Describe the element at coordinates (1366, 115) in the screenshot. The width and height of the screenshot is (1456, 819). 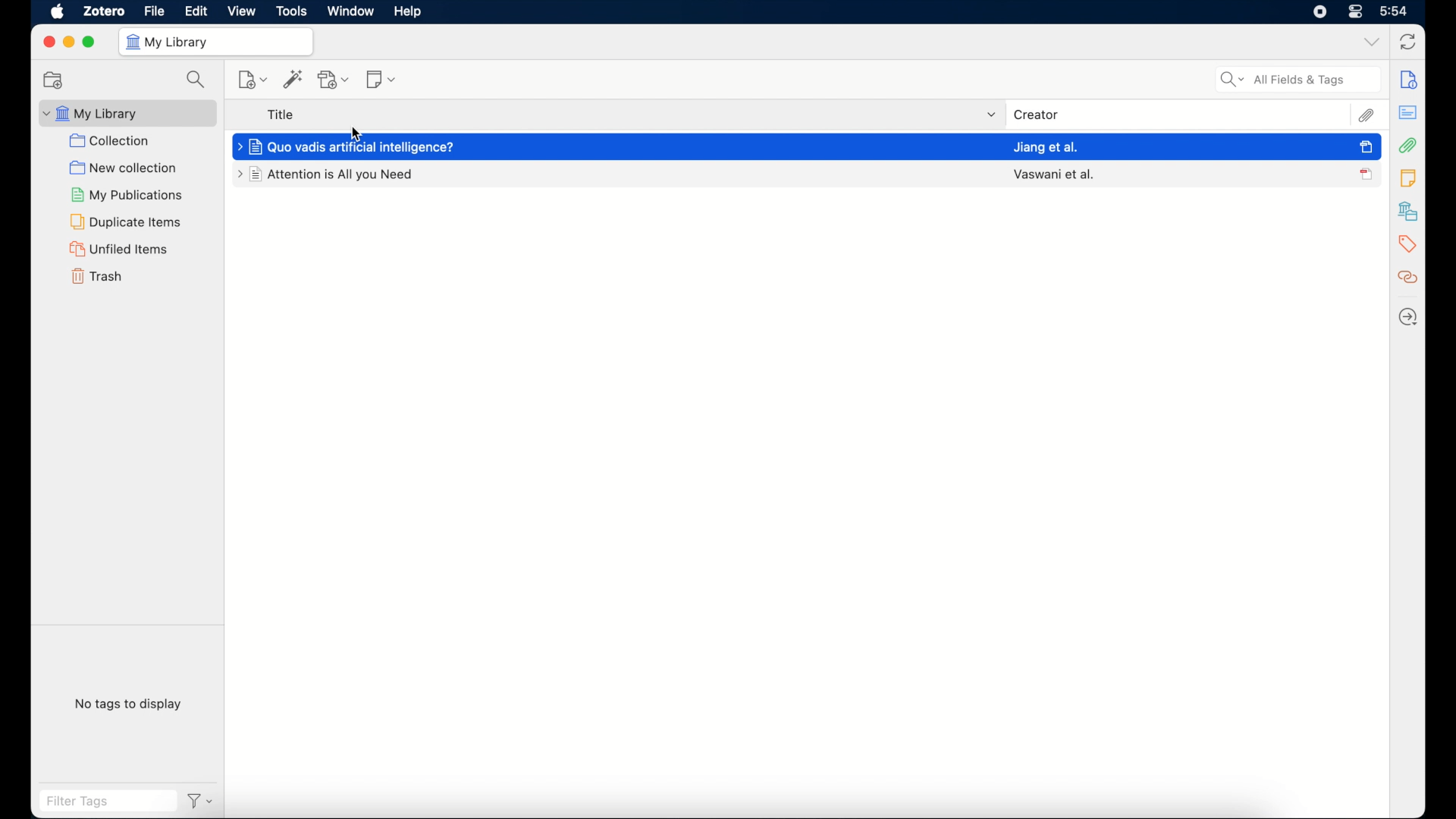
I see `attachements` at that location.